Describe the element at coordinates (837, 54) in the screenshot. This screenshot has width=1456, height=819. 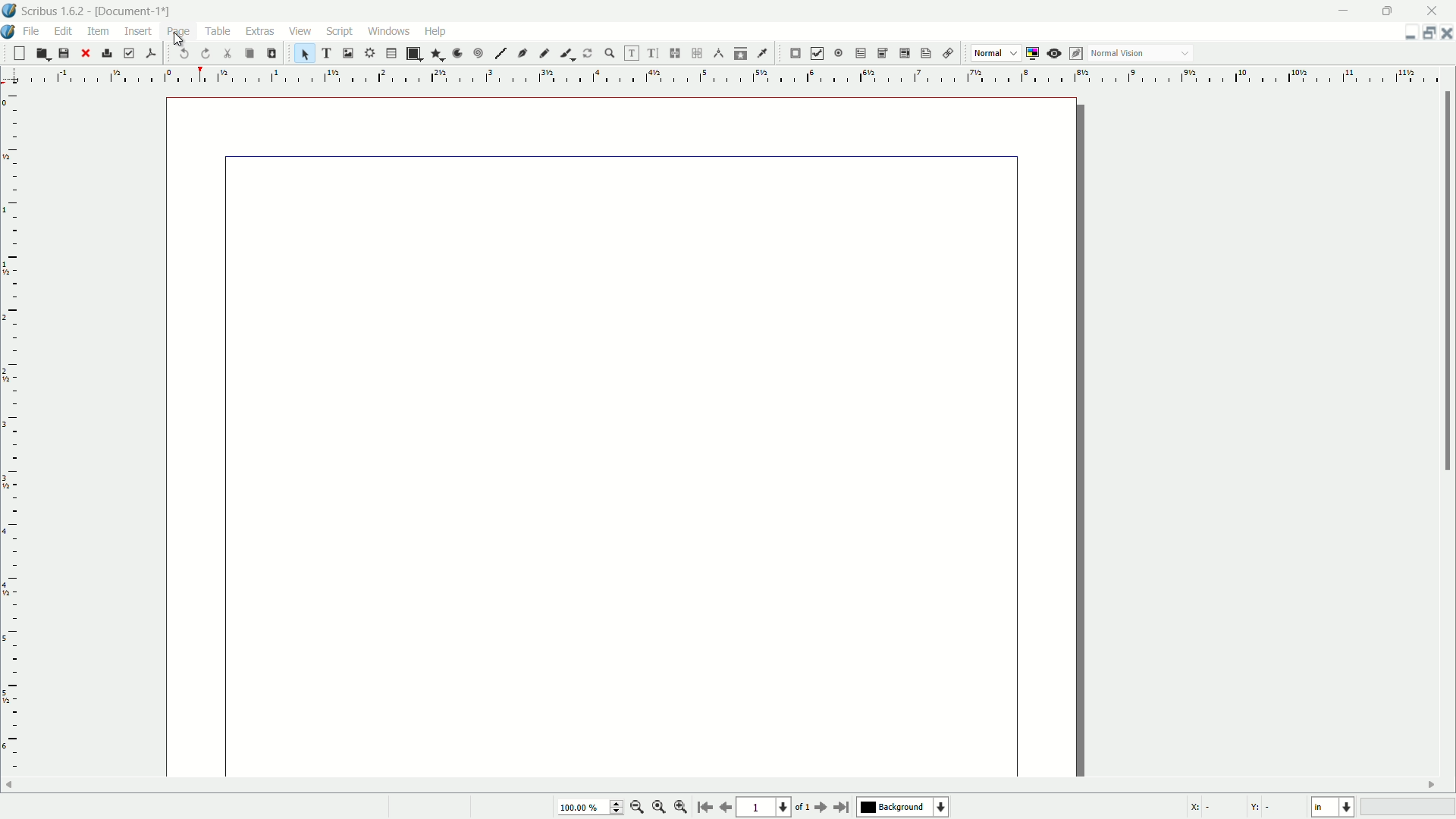
I see `pdf radio button` at that location.